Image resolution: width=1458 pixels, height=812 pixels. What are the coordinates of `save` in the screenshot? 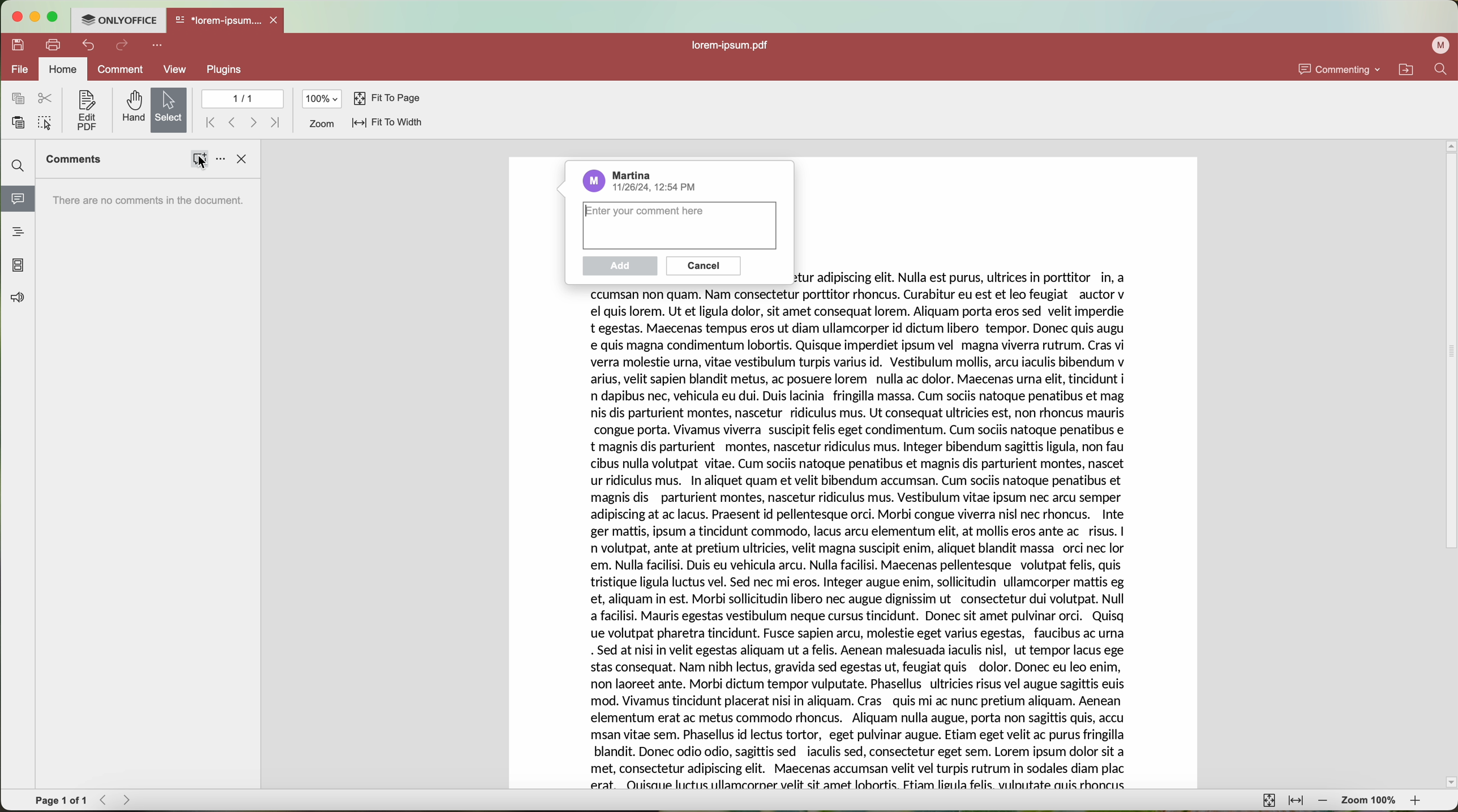 It's located at (15, 44).